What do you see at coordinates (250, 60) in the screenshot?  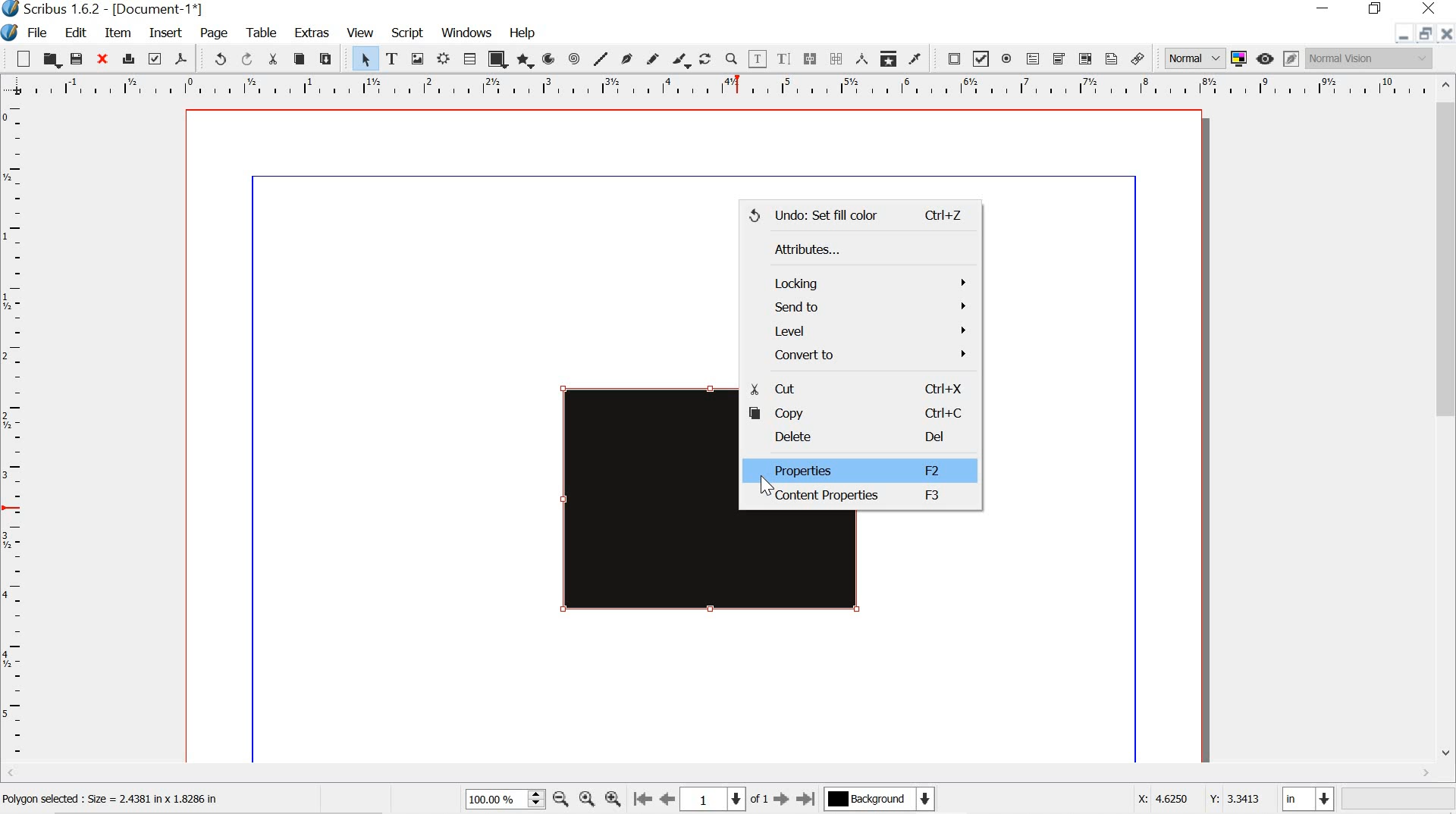 I see `redo` at bounding box center [250, 60].